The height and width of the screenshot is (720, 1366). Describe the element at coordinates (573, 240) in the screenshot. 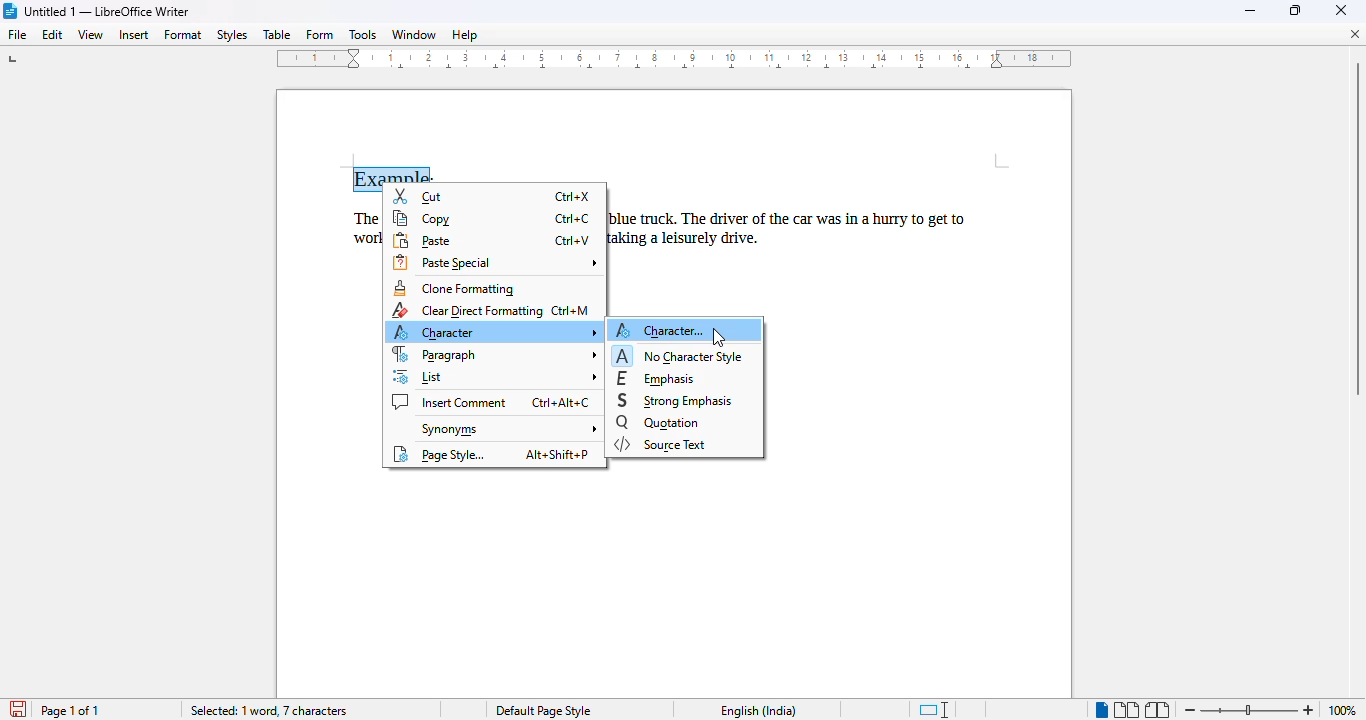

I see `Ctrl+V` at that location.